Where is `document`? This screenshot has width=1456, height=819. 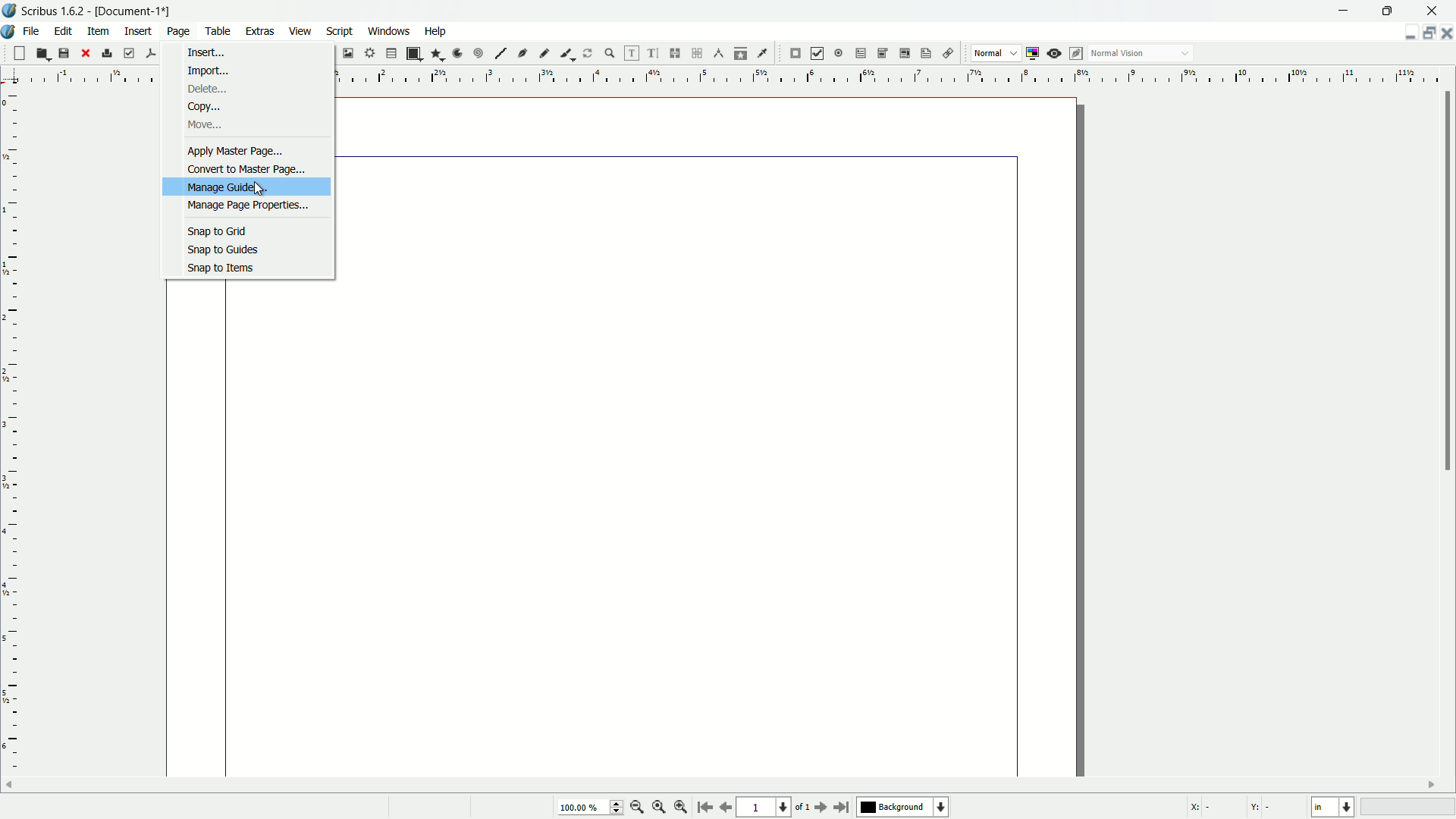 document is located at coordinates (625, 532).